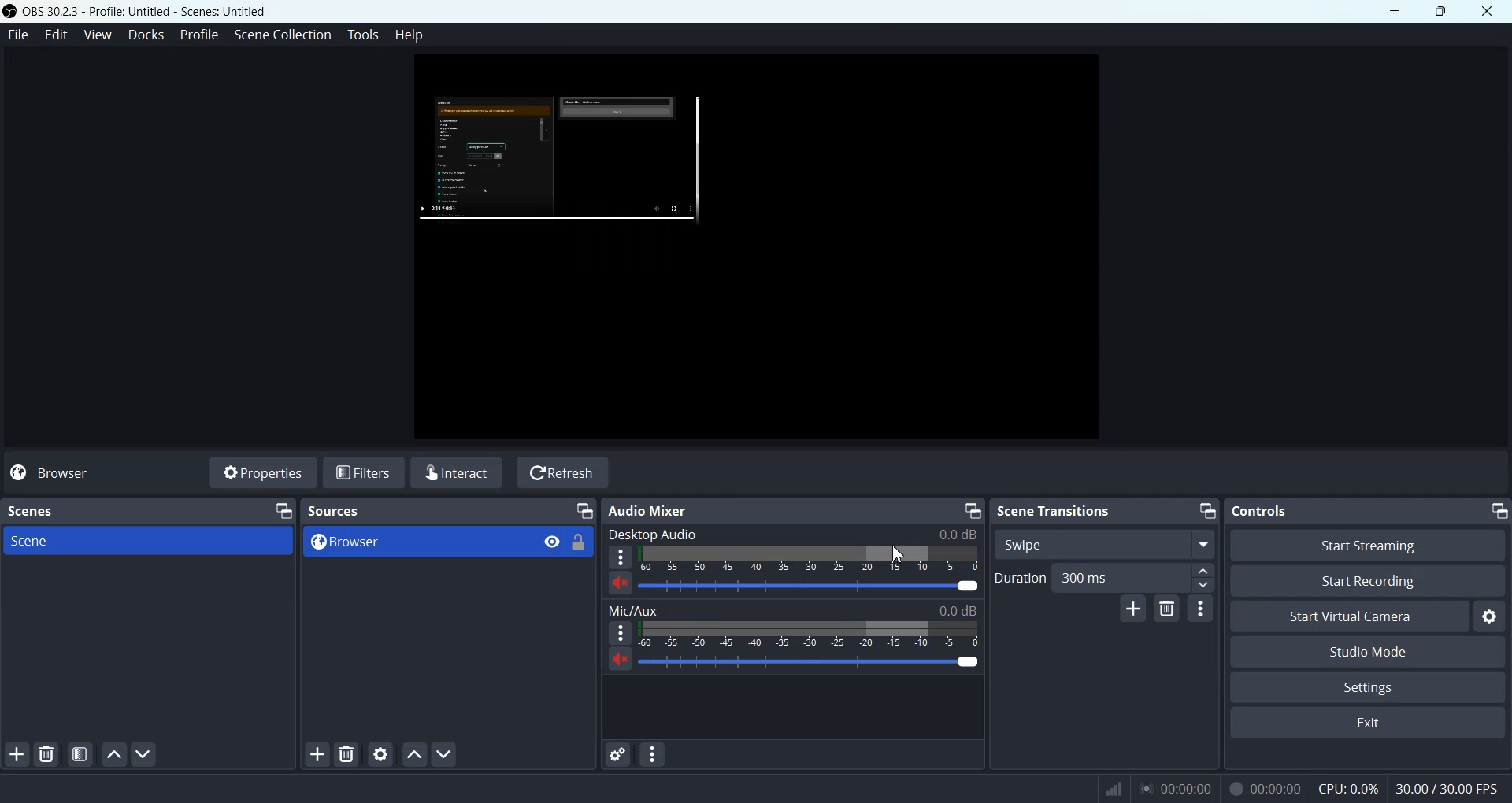 This screenshot has height=803, width=1512. What do you see at coordinates (620, 583) in the screenshot?
I see `Unmute / Mute` at bounding box center [620, 583].